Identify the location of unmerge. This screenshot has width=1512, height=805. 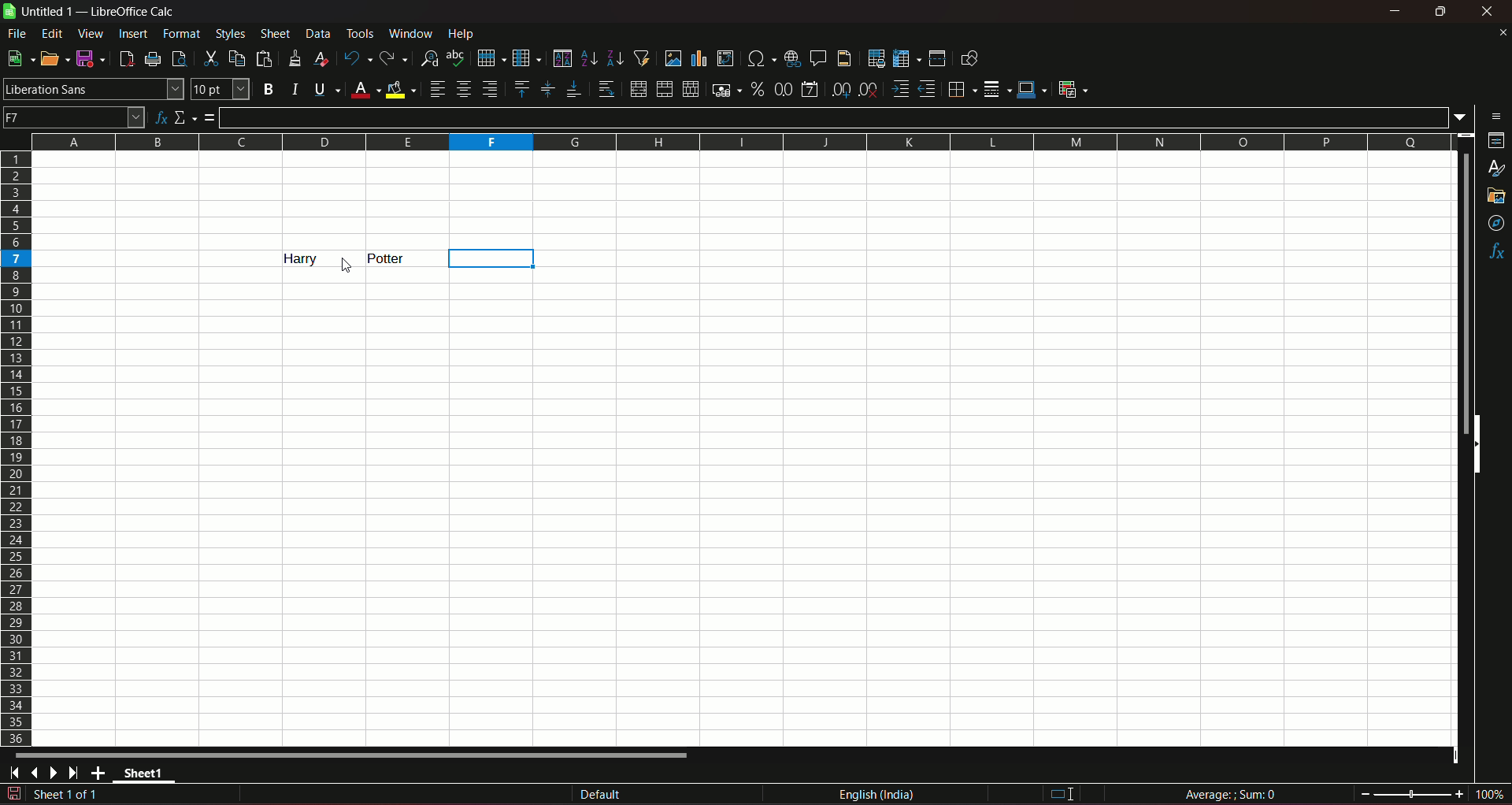
(689, 90).